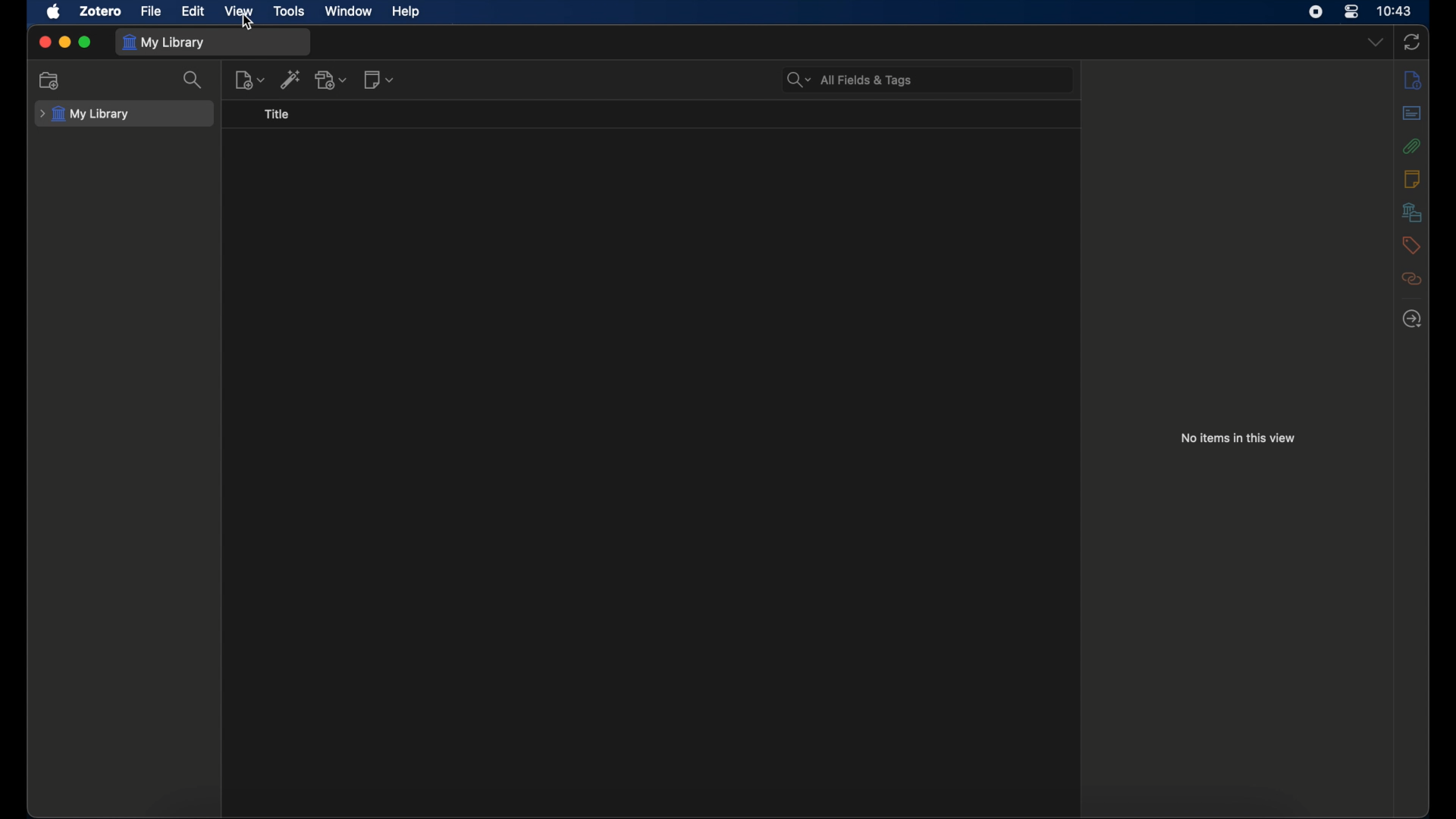 The image size is (1456, 819). Describe the element at coordinates (85, 115) in the screenshot. I see `my library` at that location.